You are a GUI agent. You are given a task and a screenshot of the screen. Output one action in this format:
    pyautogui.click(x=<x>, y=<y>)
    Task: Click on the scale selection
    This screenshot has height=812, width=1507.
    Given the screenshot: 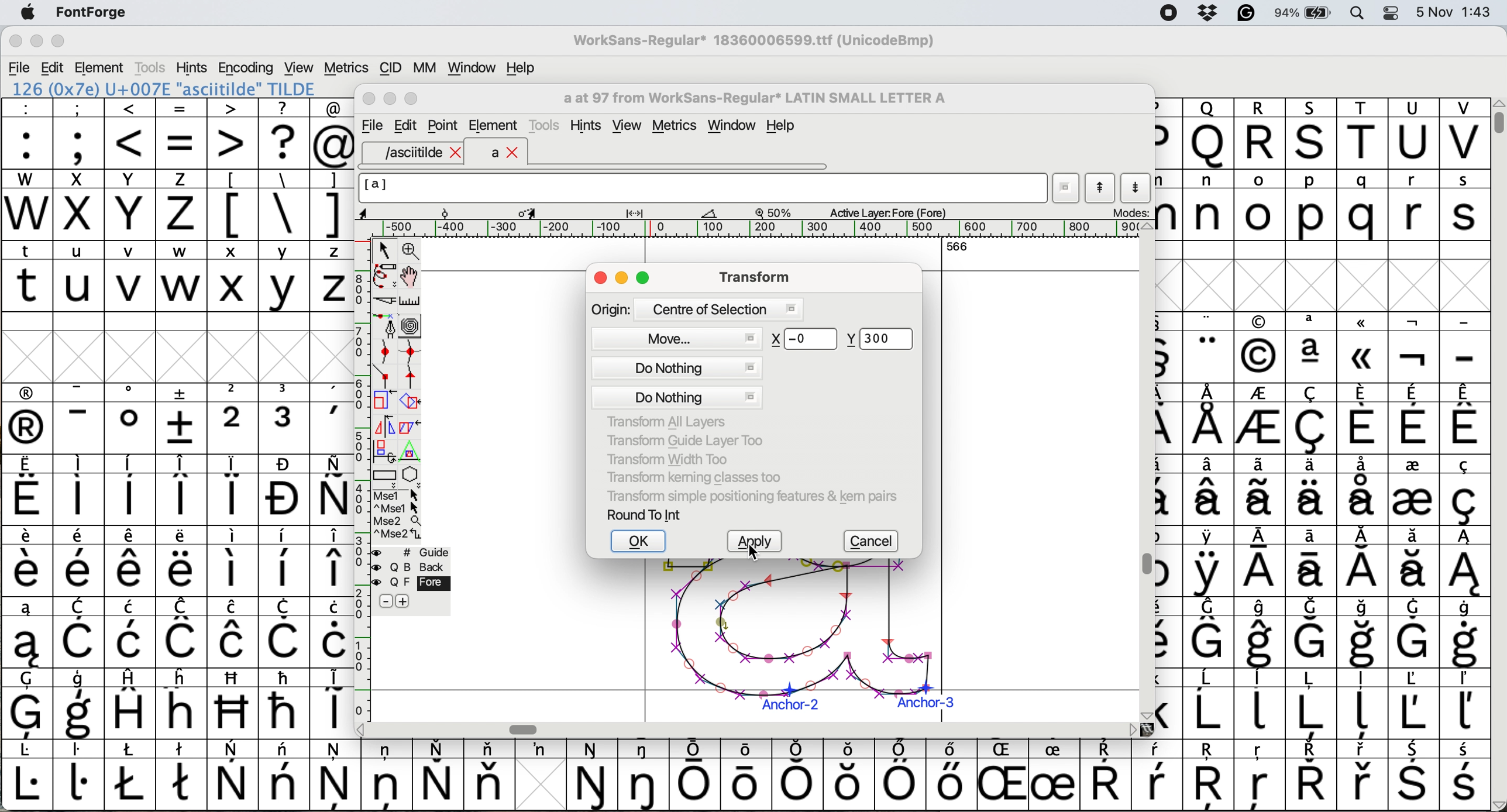 What is the action you would take?
    pyautogui.click(x=386, y=400)
    